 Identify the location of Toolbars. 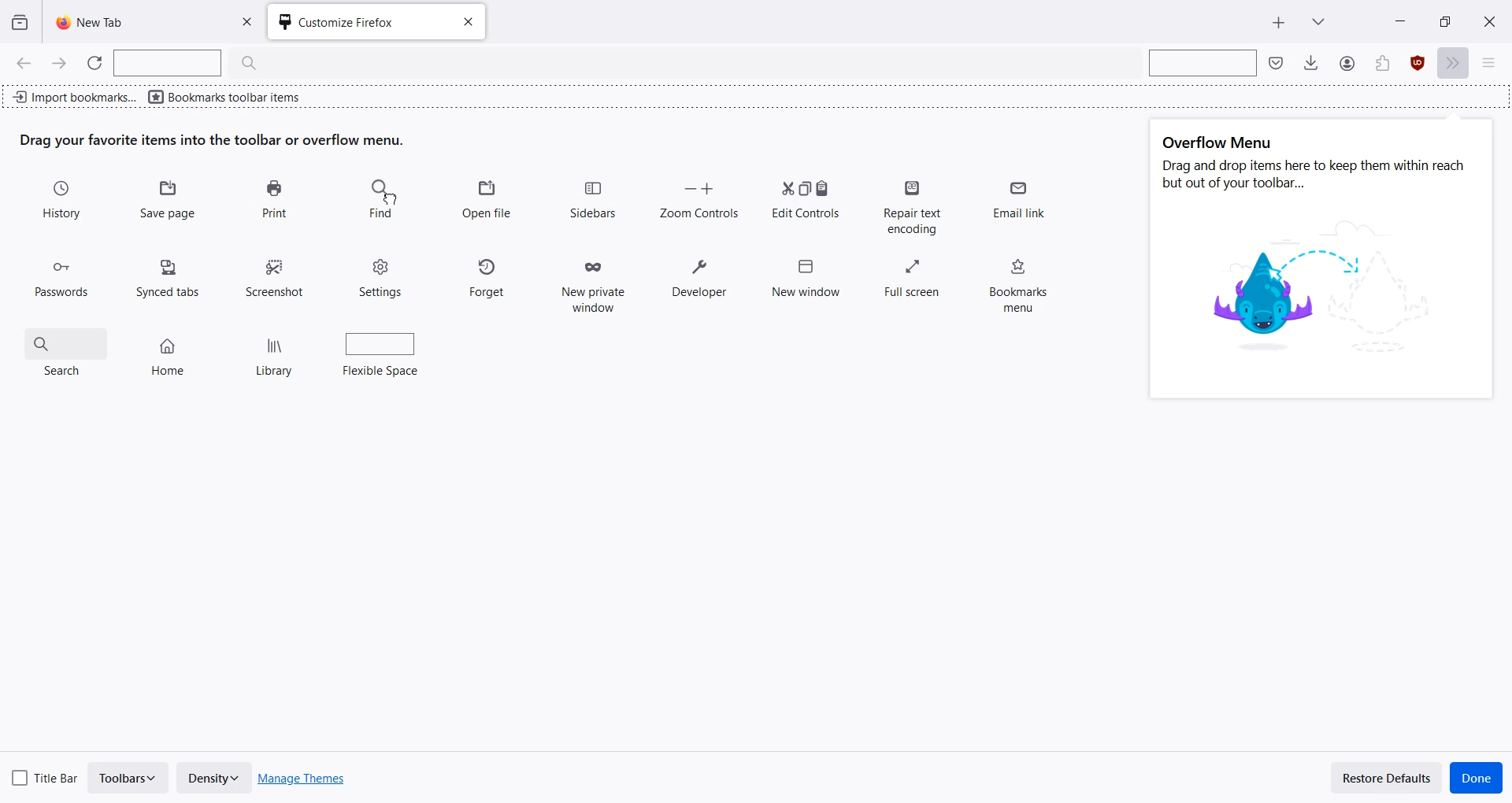
(129, 778).